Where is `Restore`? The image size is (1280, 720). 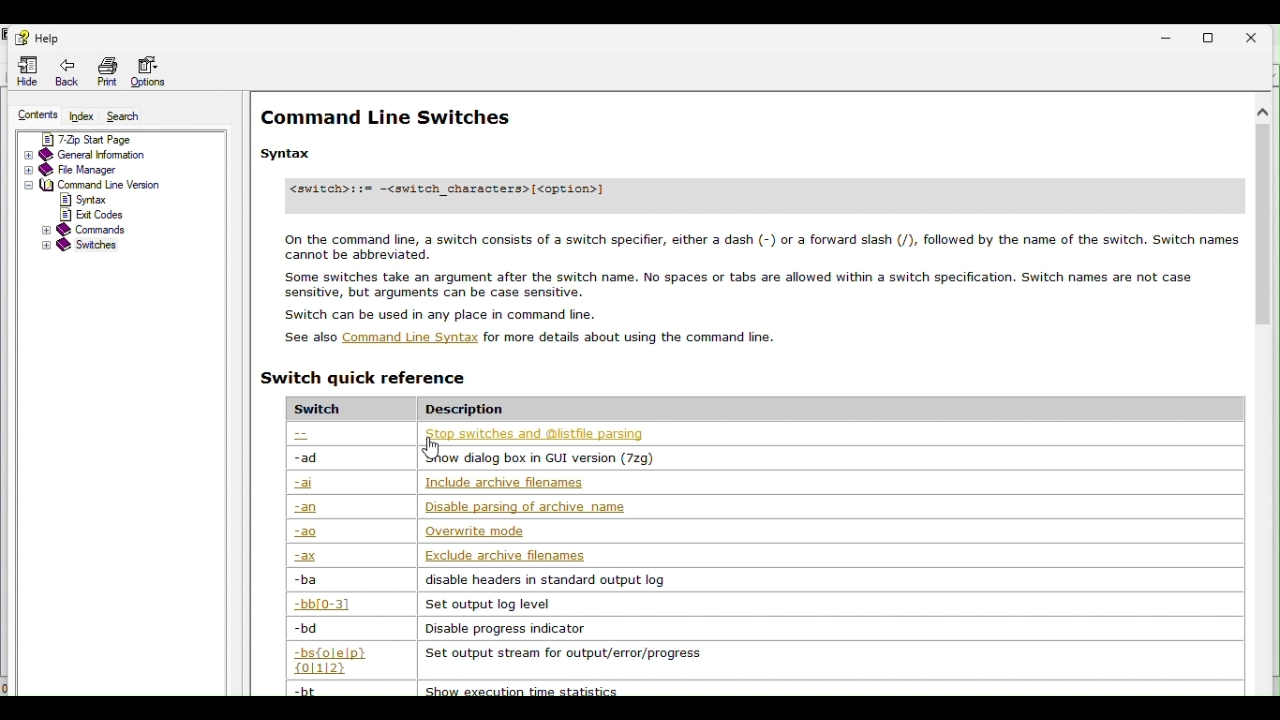 Restore is located at coordinates (1220, 37).